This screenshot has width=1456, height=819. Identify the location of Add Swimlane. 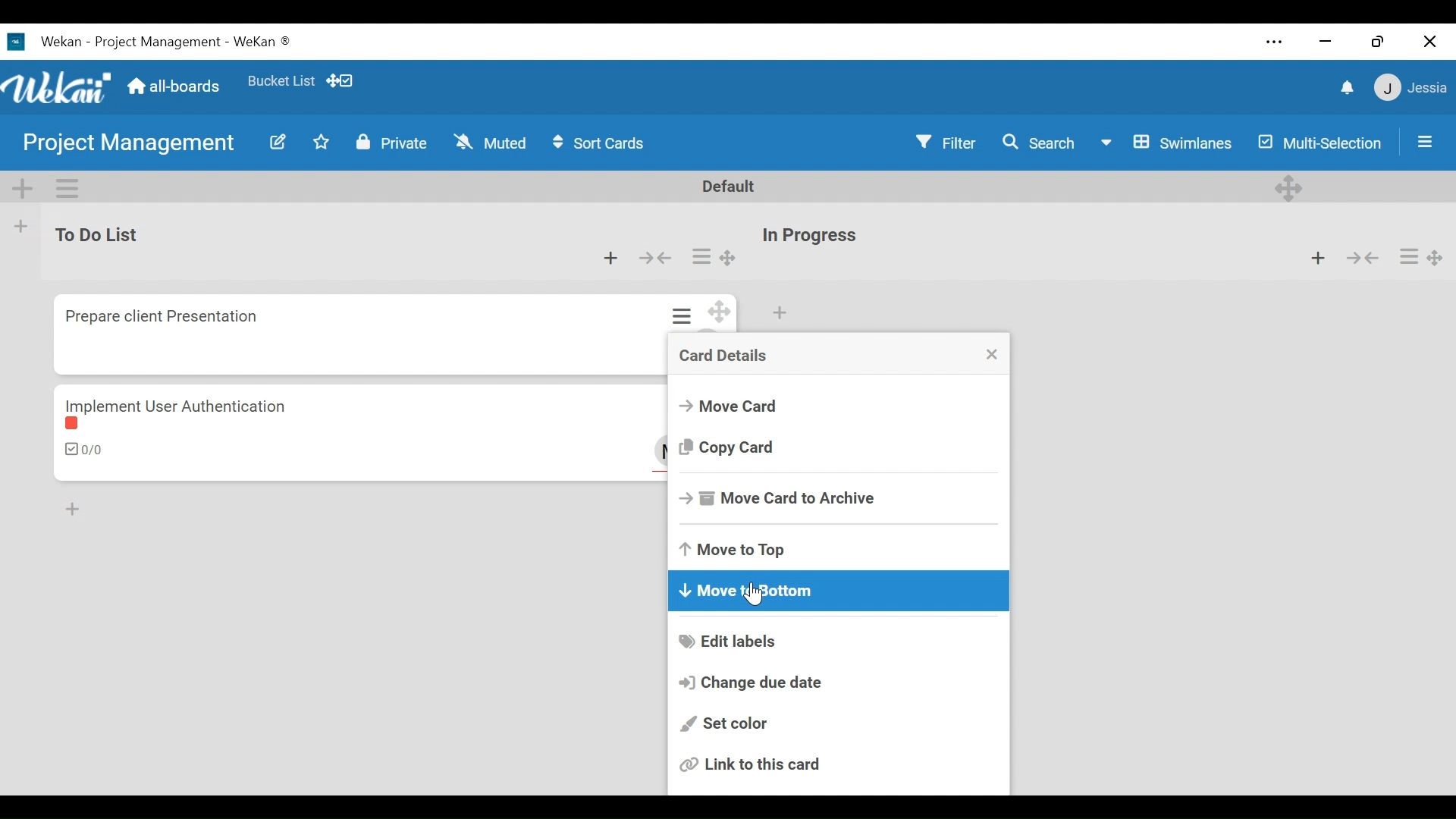
(25, 190).